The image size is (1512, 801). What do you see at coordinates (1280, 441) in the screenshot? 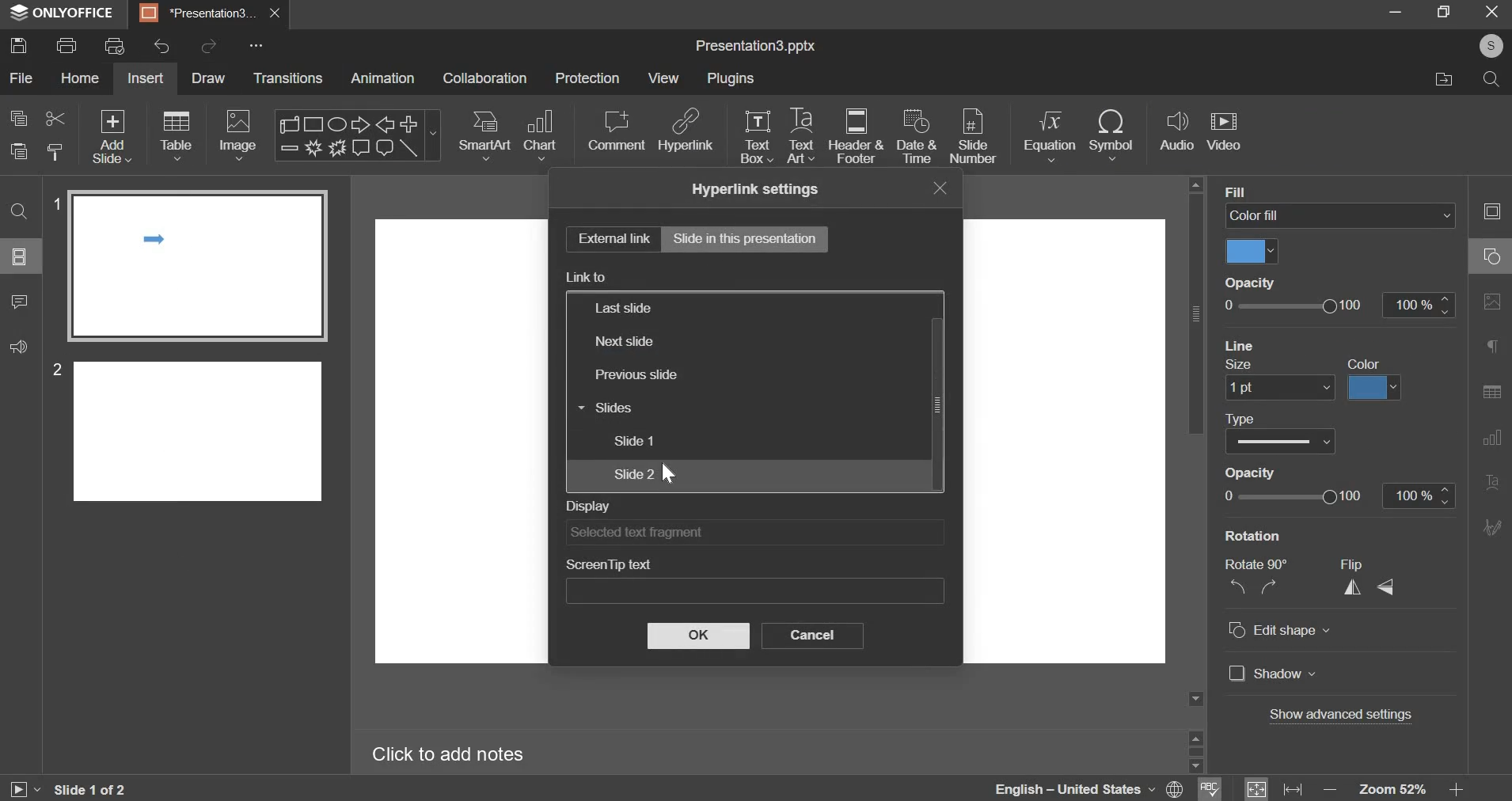
I see `select line type` at bounding box center [1280, 441].